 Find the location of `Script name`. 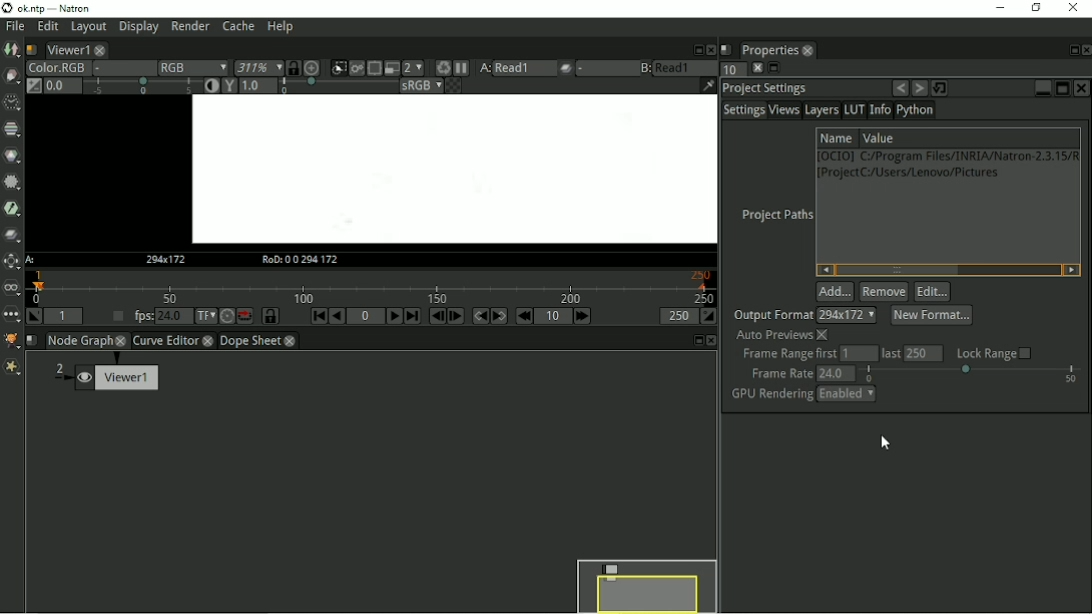

Script name is located at coordinates (32, 341).